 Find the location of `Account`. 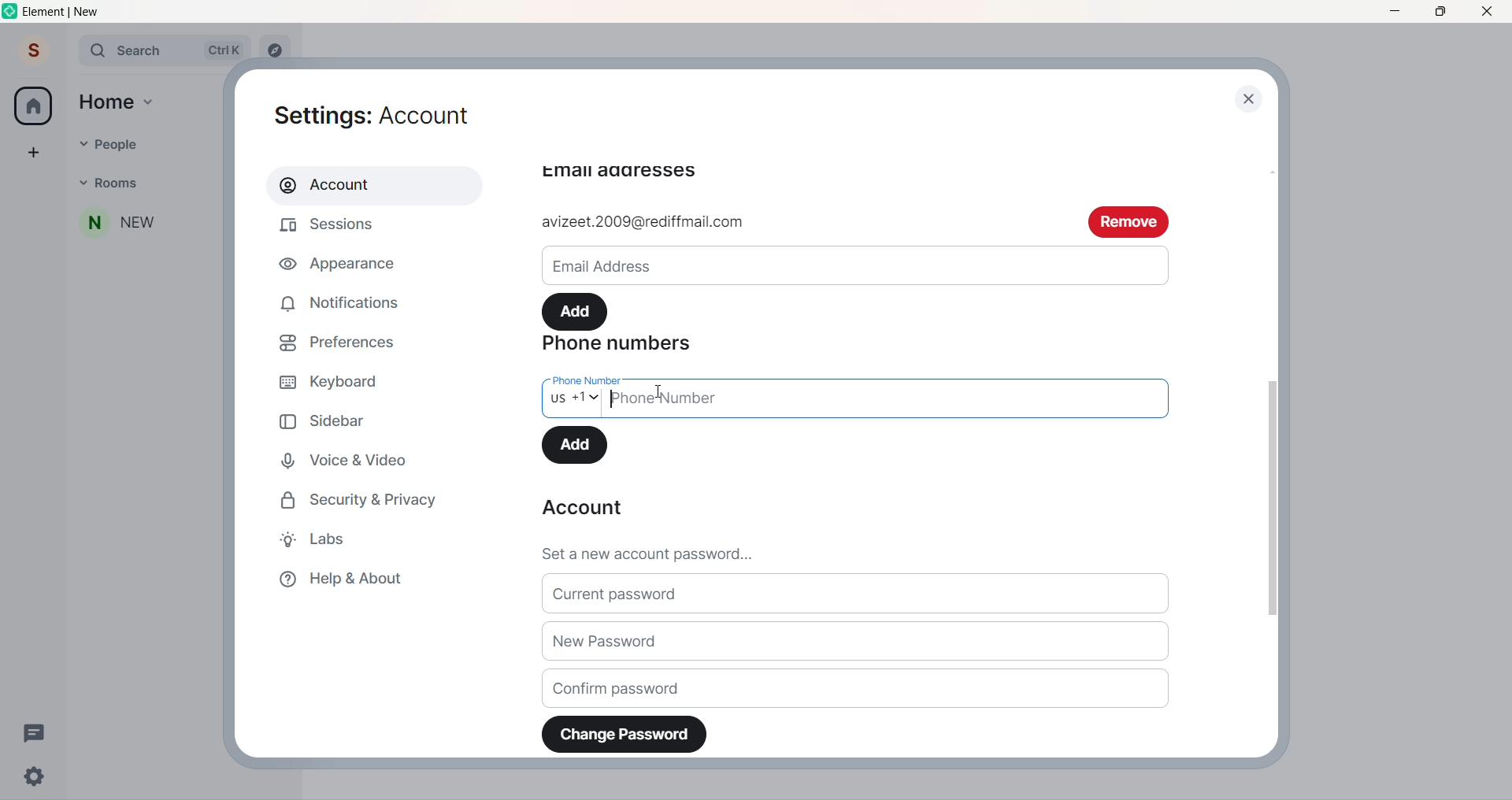

Account is located at coordinates (583, 509).